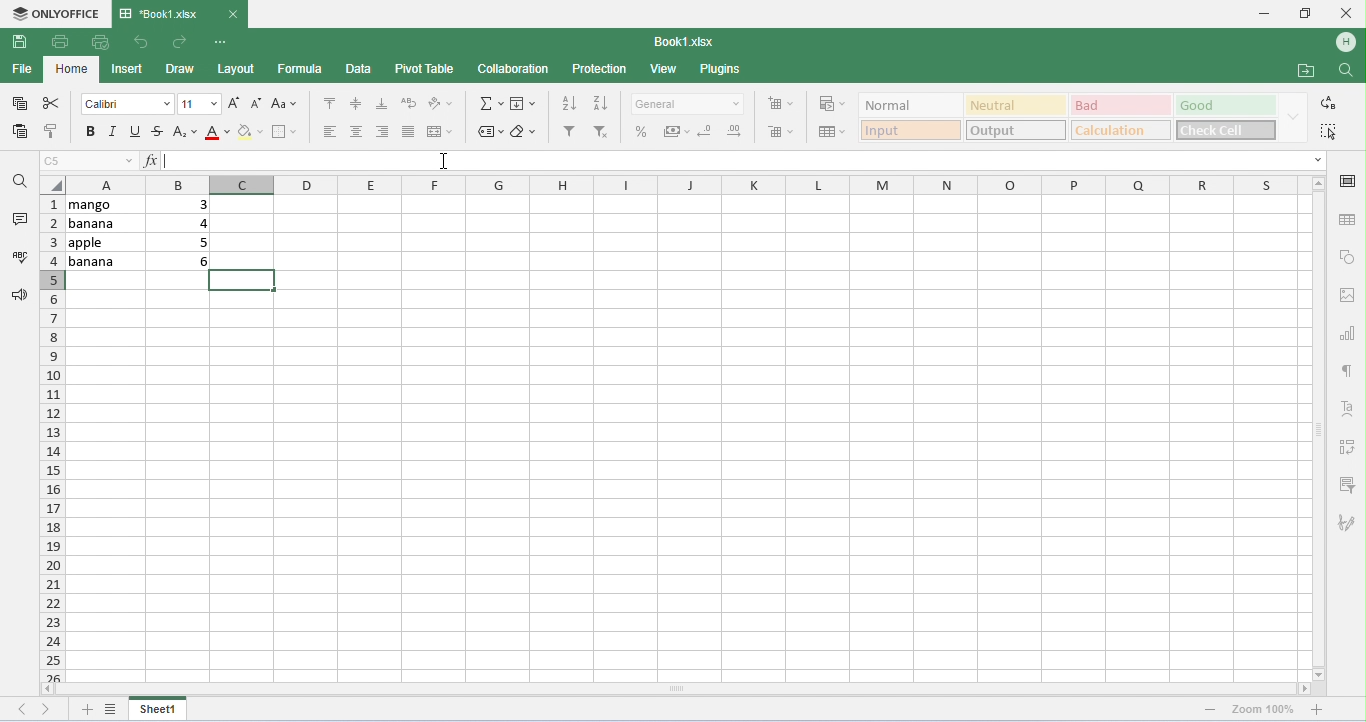  I want to click on fill, so click(524, 105).